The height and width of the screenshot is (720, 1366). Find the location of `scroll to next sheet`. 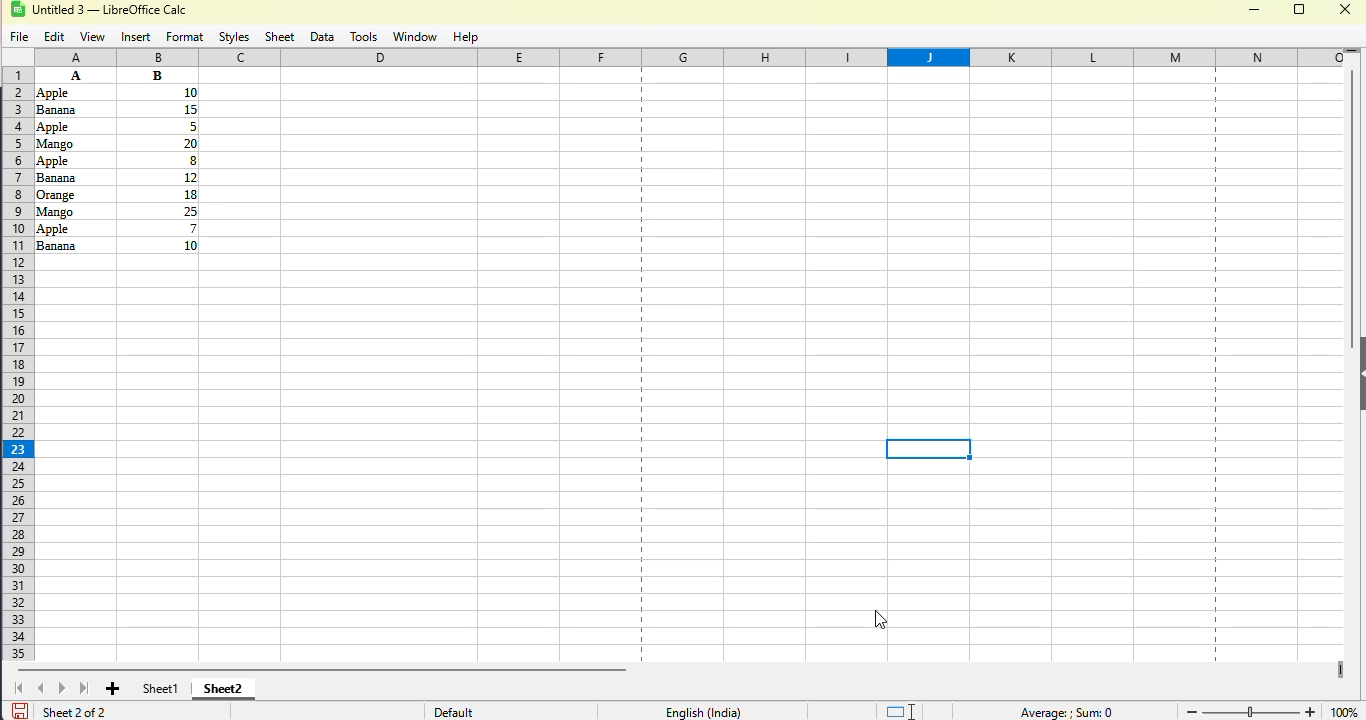

scroll to next sheet is located at coordinates (62, 688).